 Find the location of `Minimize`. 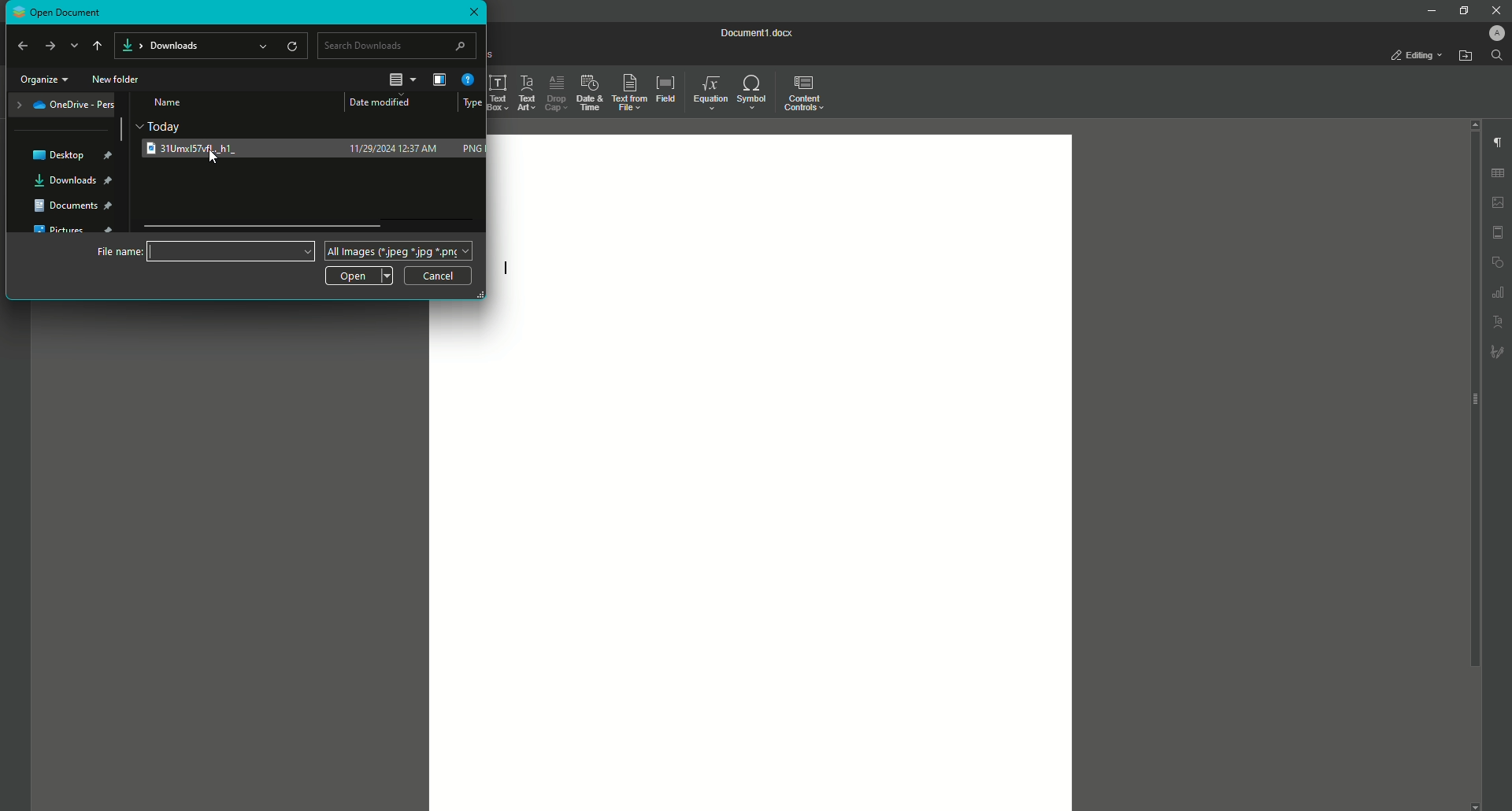

Minimize is located at coordinates (1431, 12).